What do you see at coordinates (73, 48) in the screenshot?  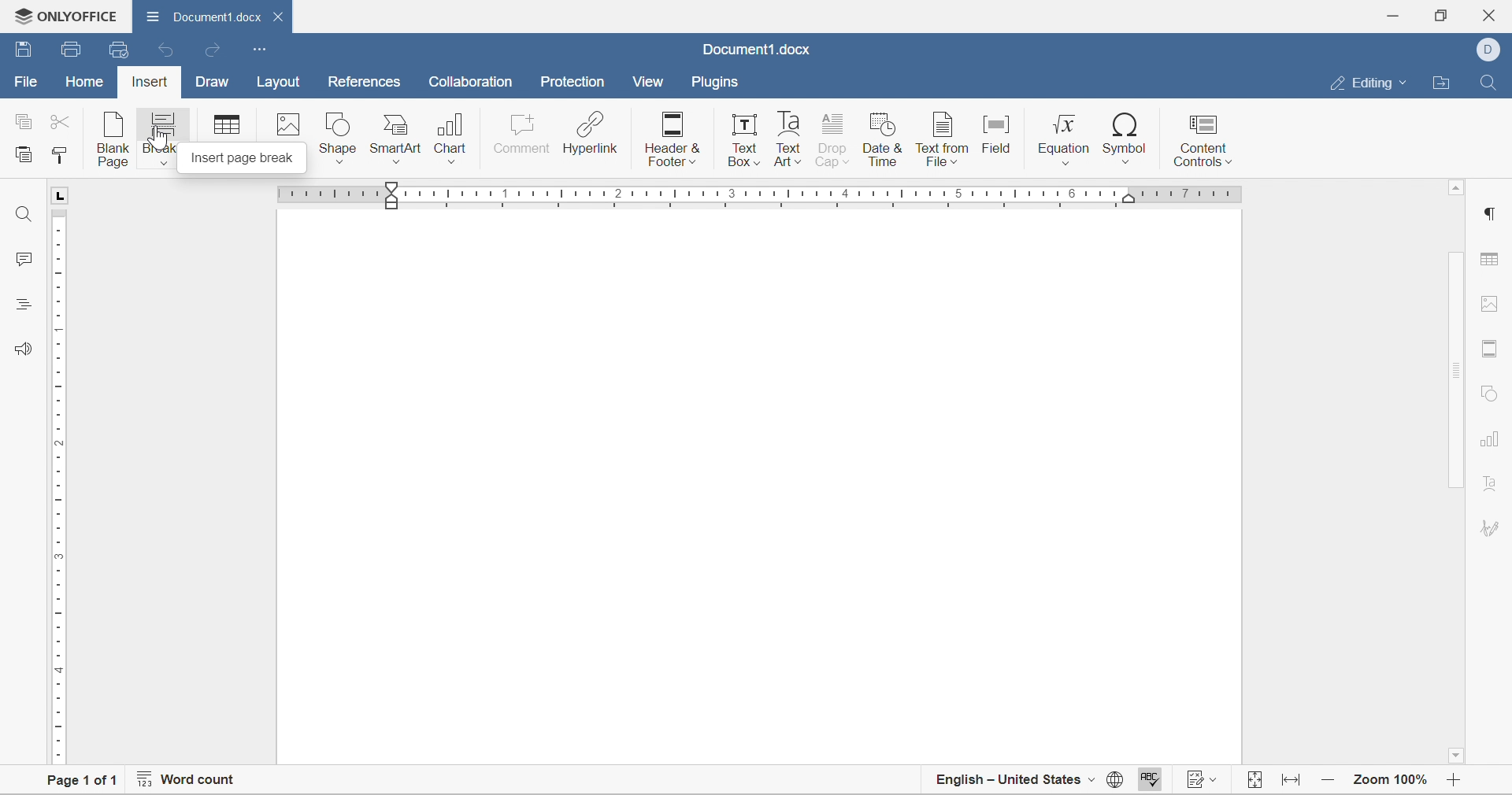 I see `Print file` at bounding box center [73, 48].